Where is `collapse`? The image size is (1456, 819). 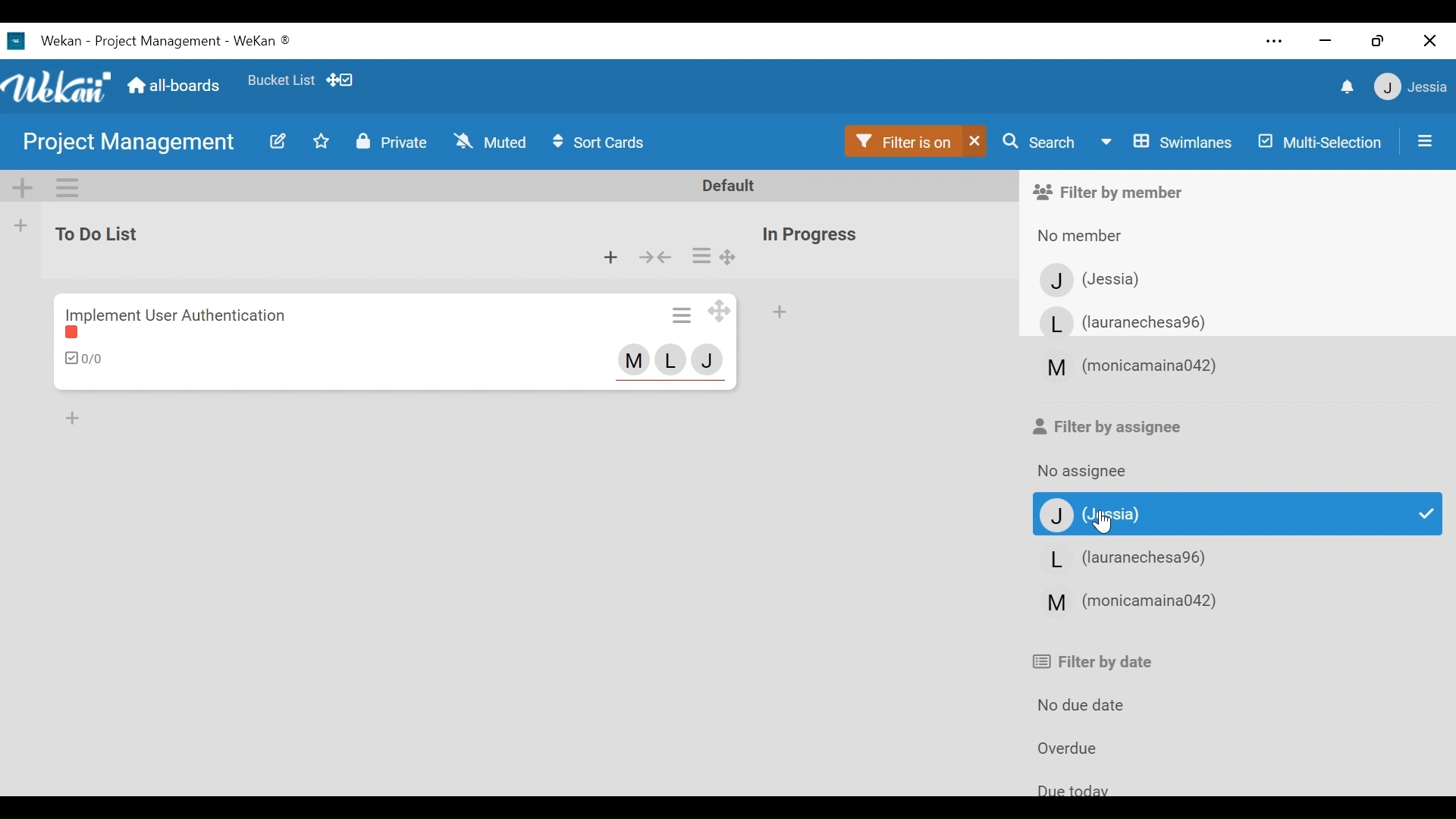
collapse is located at coordinates (655, 258).